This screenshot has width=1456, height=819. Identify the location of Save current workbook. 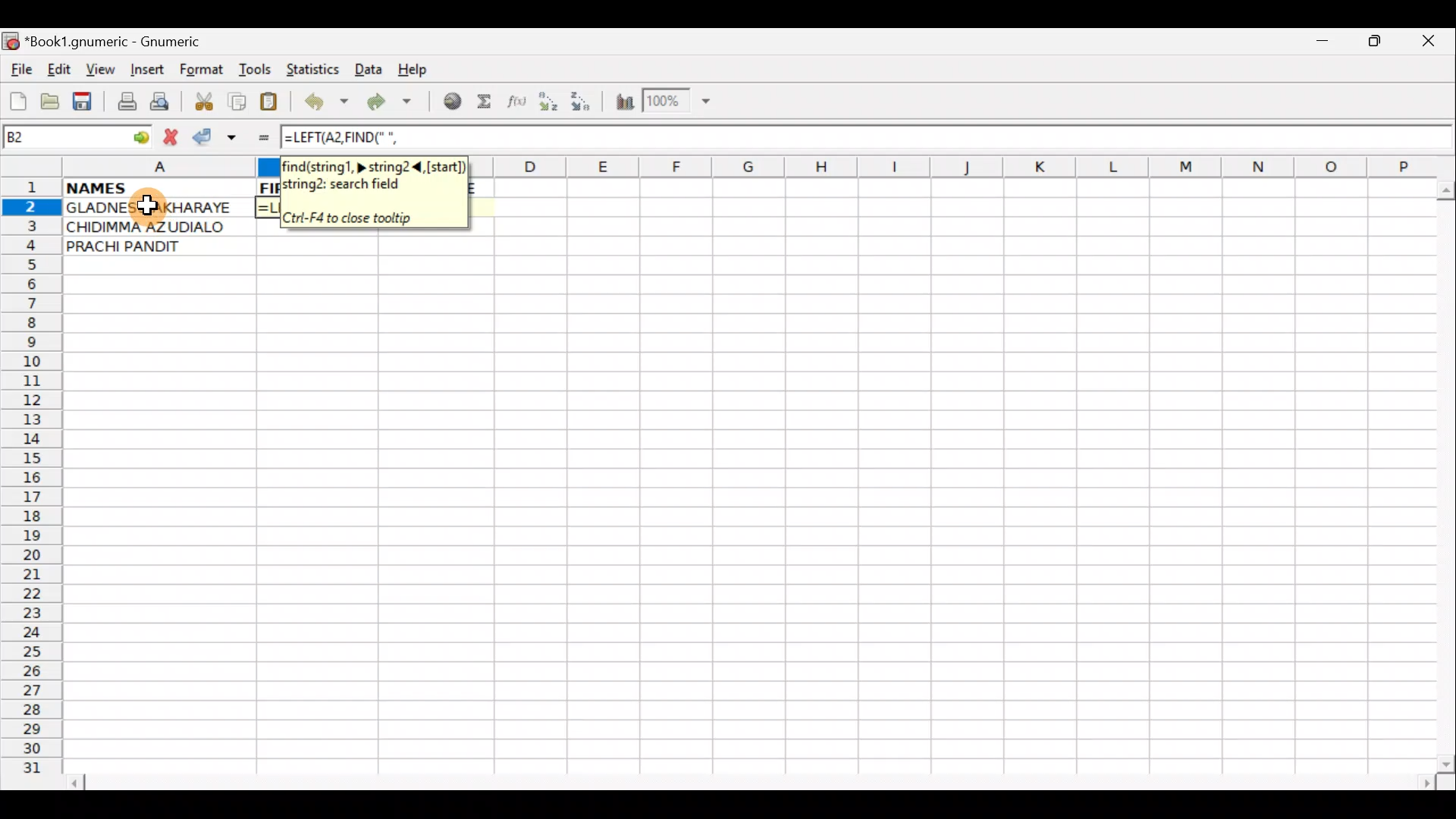
(86, 102).